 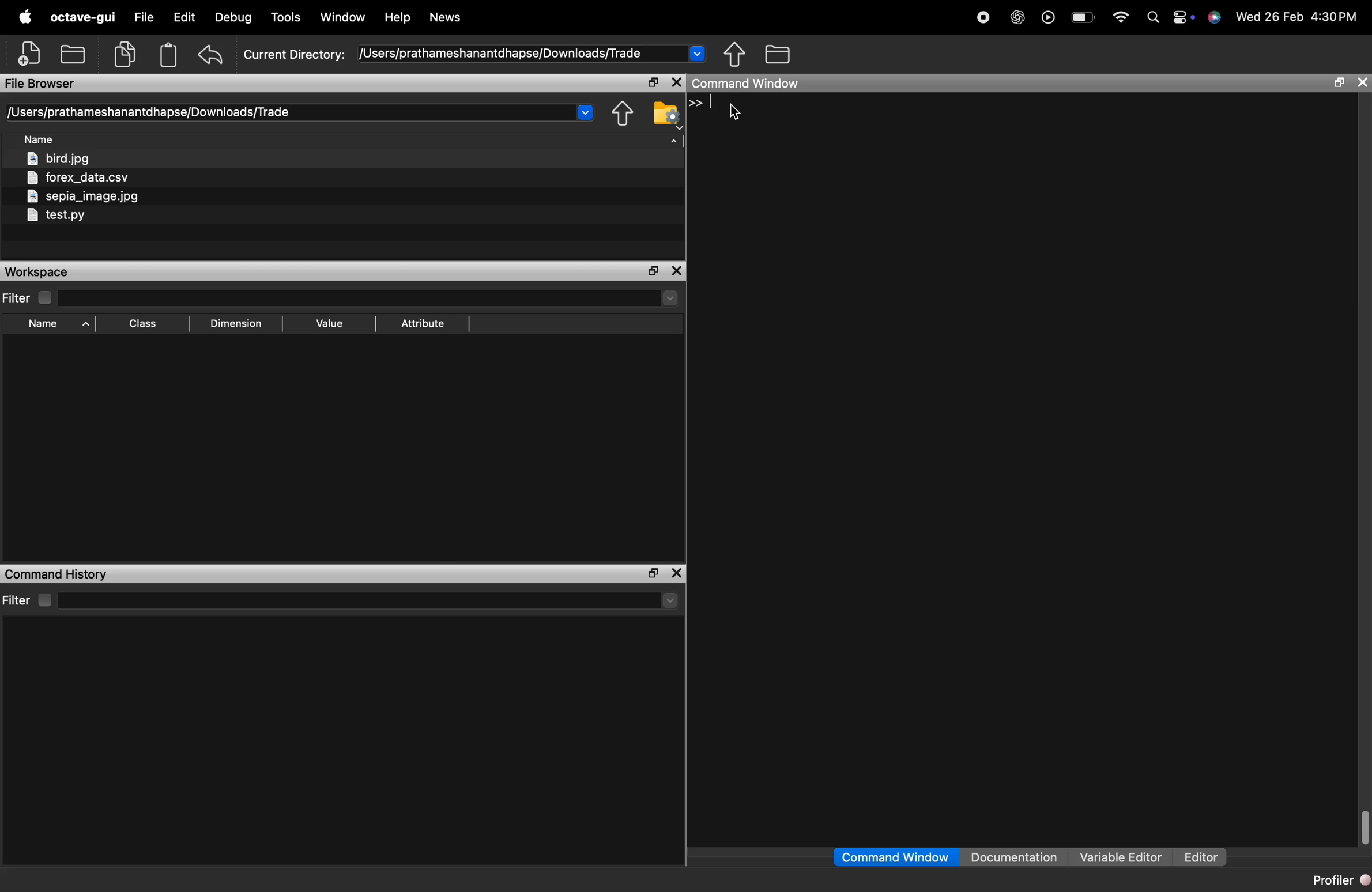 What do you see at coordinates (1121, 20) in the screenshot?
I see `wifi` at bounding box center [1121, 20].